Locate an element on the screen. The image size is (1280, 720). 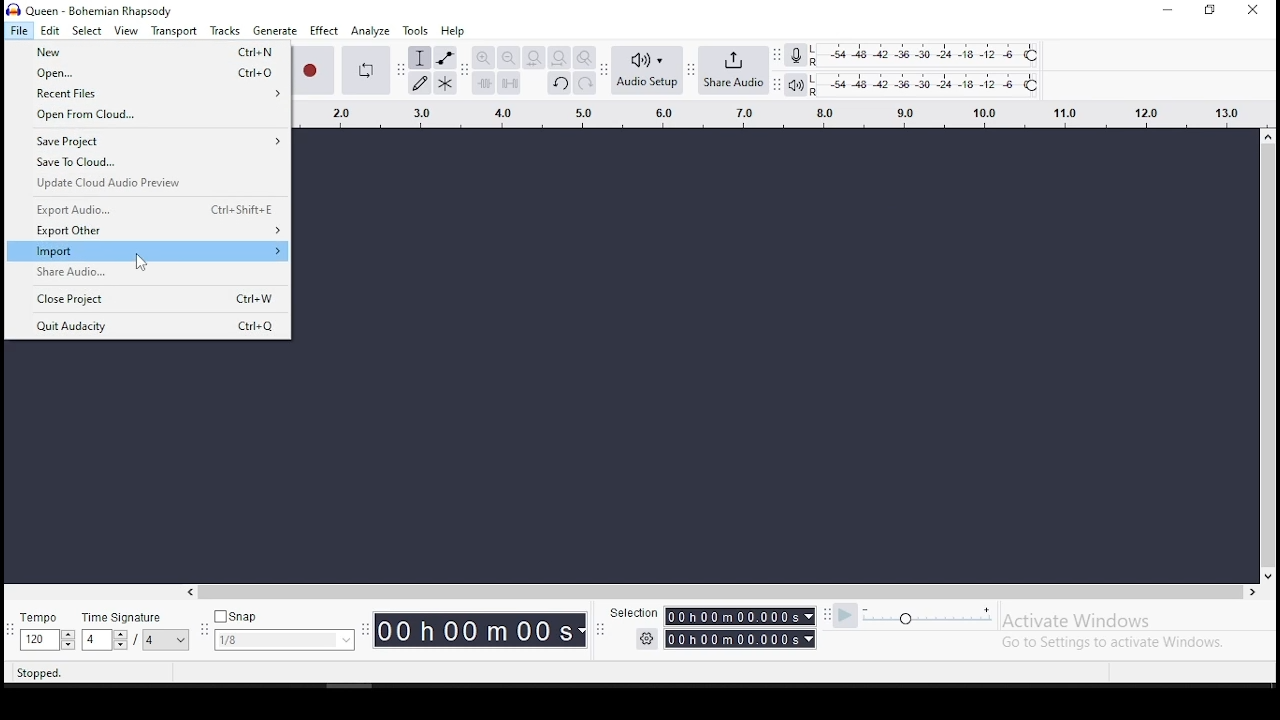
help is located at coordinates (451, 31).